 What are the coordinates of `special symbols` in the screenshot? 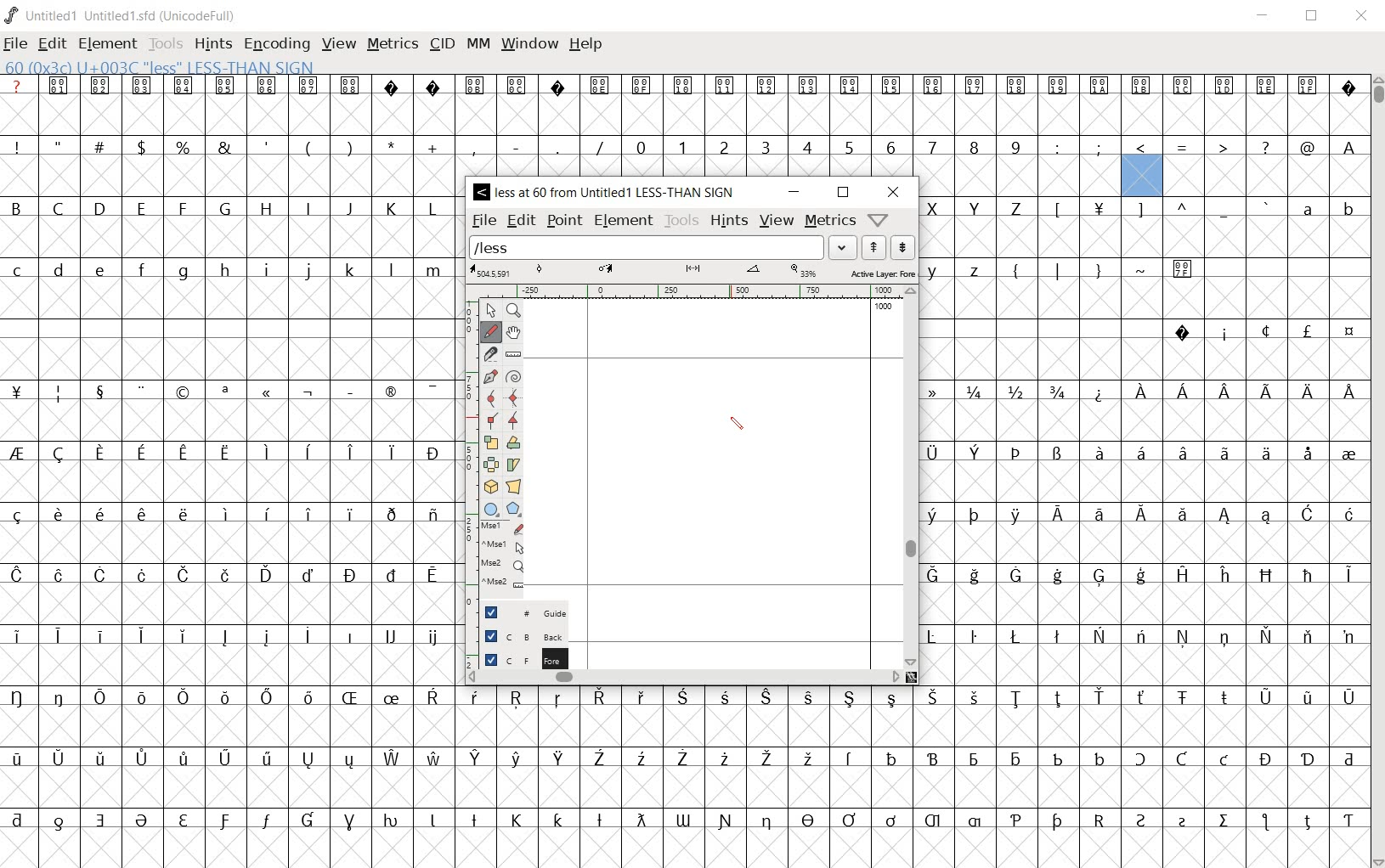 It's located at (682, 84).